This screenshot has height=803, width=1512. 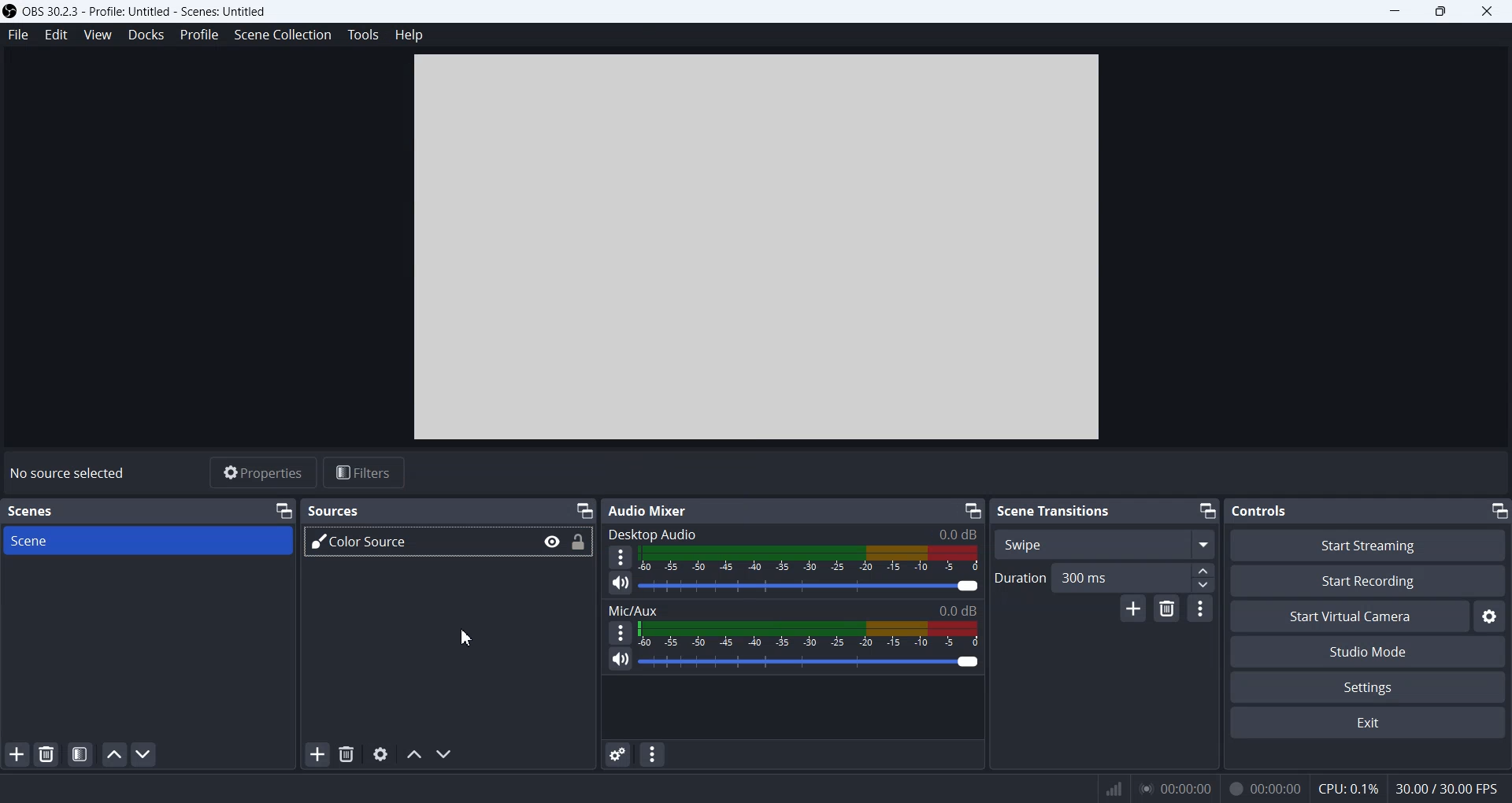 I want to click on Profile, so click(x=198, y=34).